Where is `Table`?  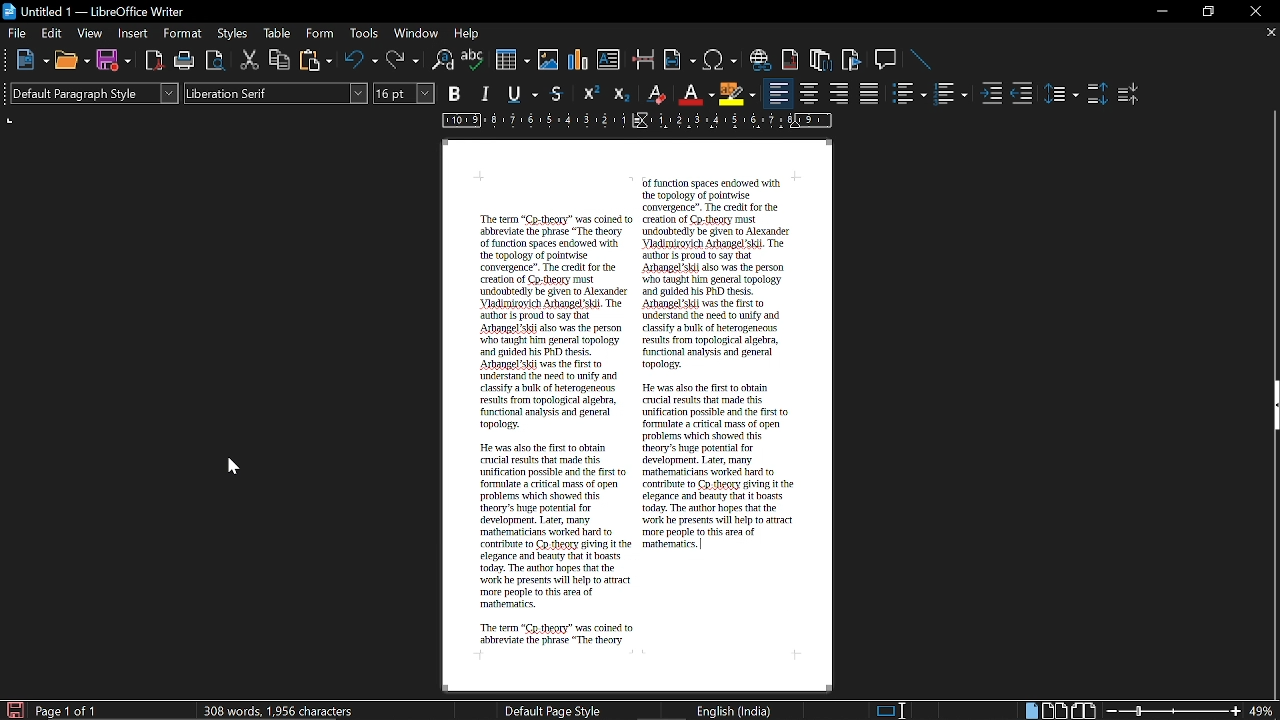
Table is located at coordinates (281, 33).